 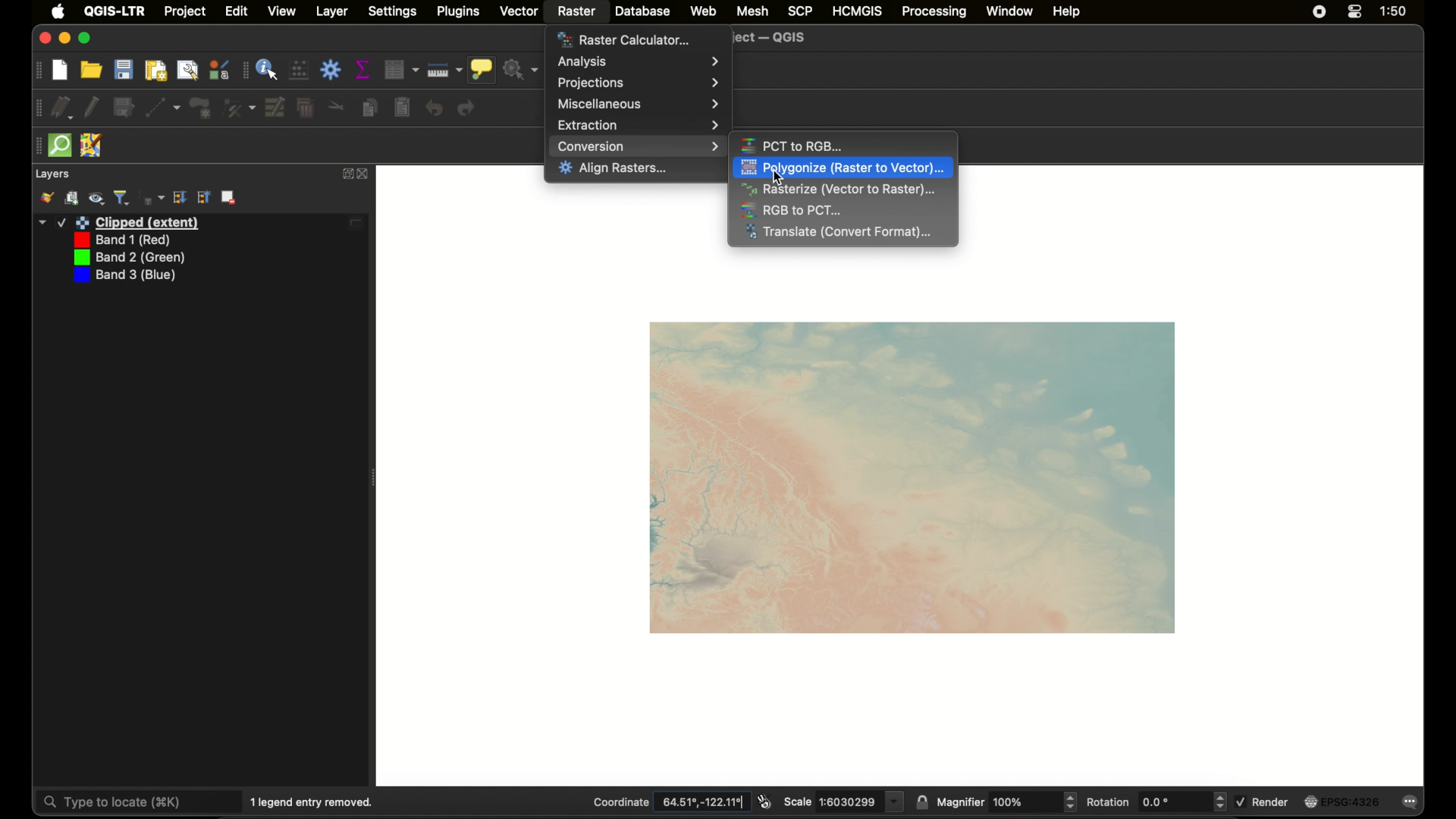 What do you see at coordinates (124, 69) in the screenshot?
I see `save` at bounding box center [124, 69].